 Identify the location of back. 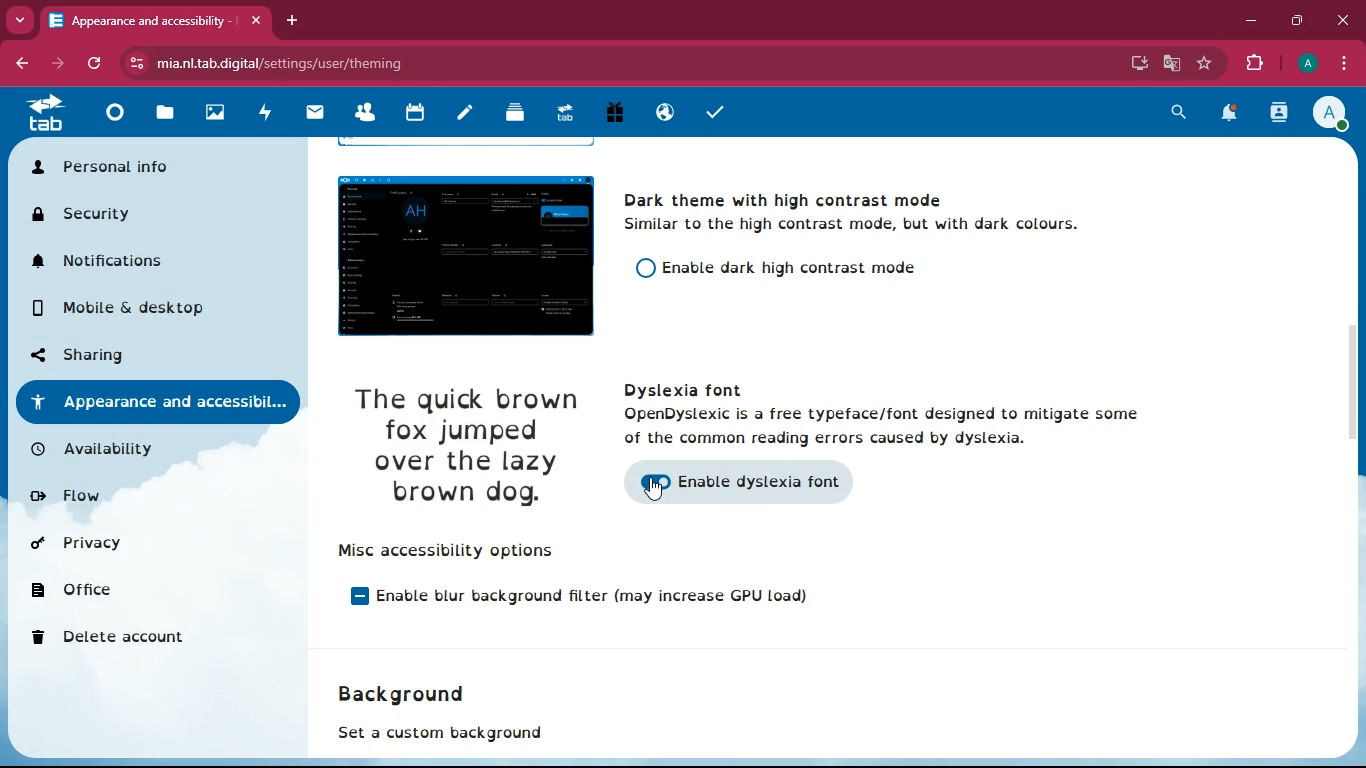
(21, 65).